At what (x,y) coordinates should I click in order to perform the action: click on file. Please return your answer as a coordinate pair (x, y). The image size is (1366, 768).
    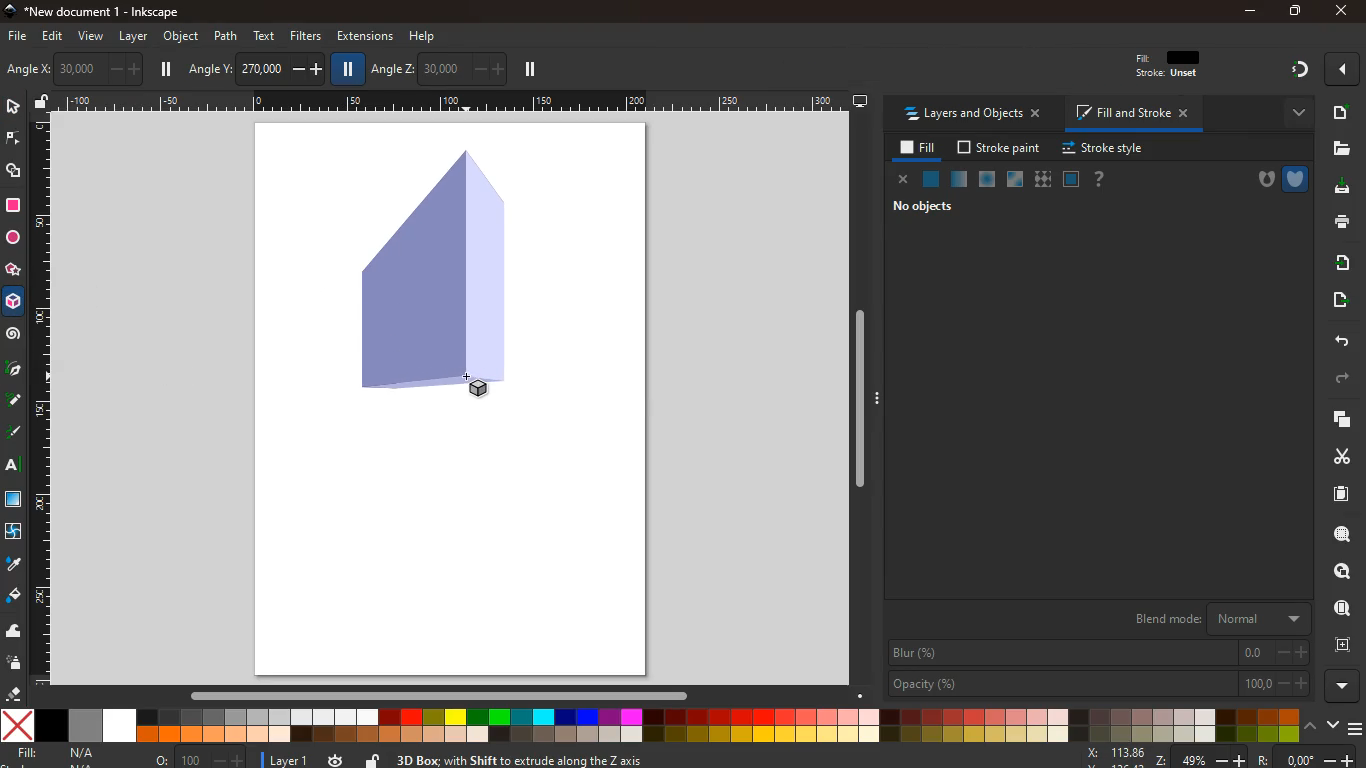
    Looking at the image, I should click on (16, 35).